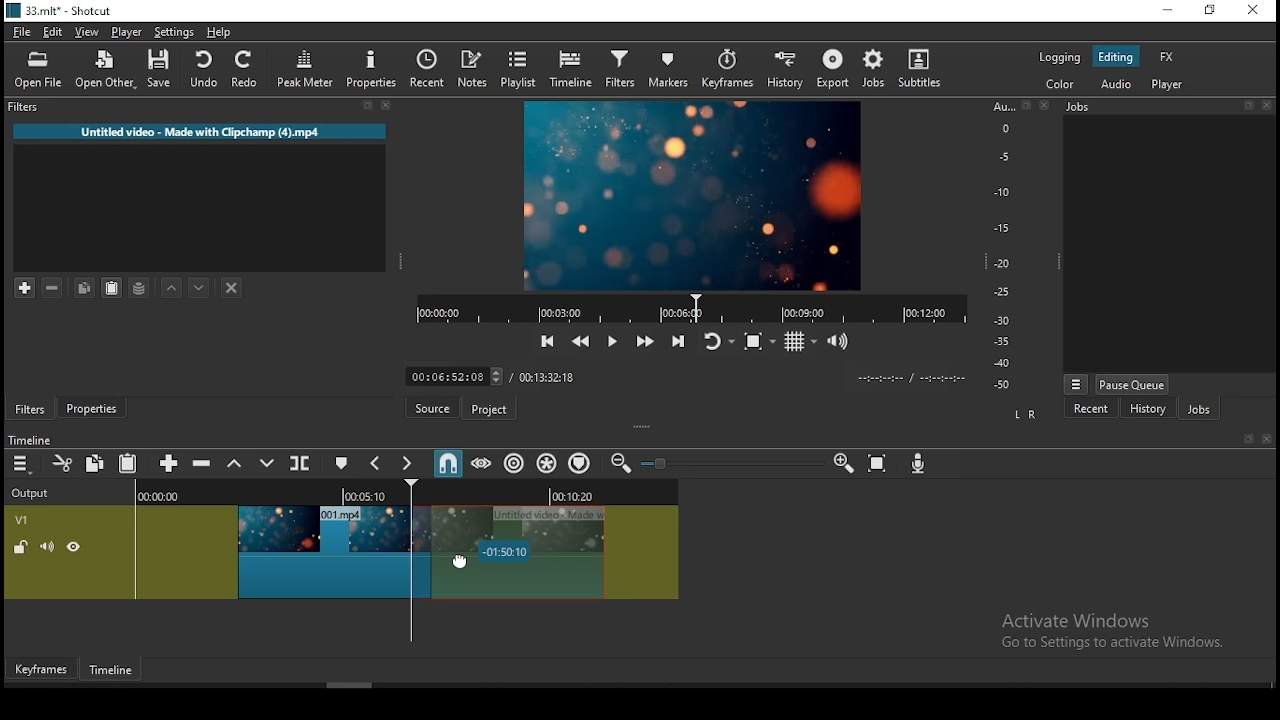  Describe the element at coordinates (881, 464) in the screenshot. I see `zoom timeline to fit` at that location.